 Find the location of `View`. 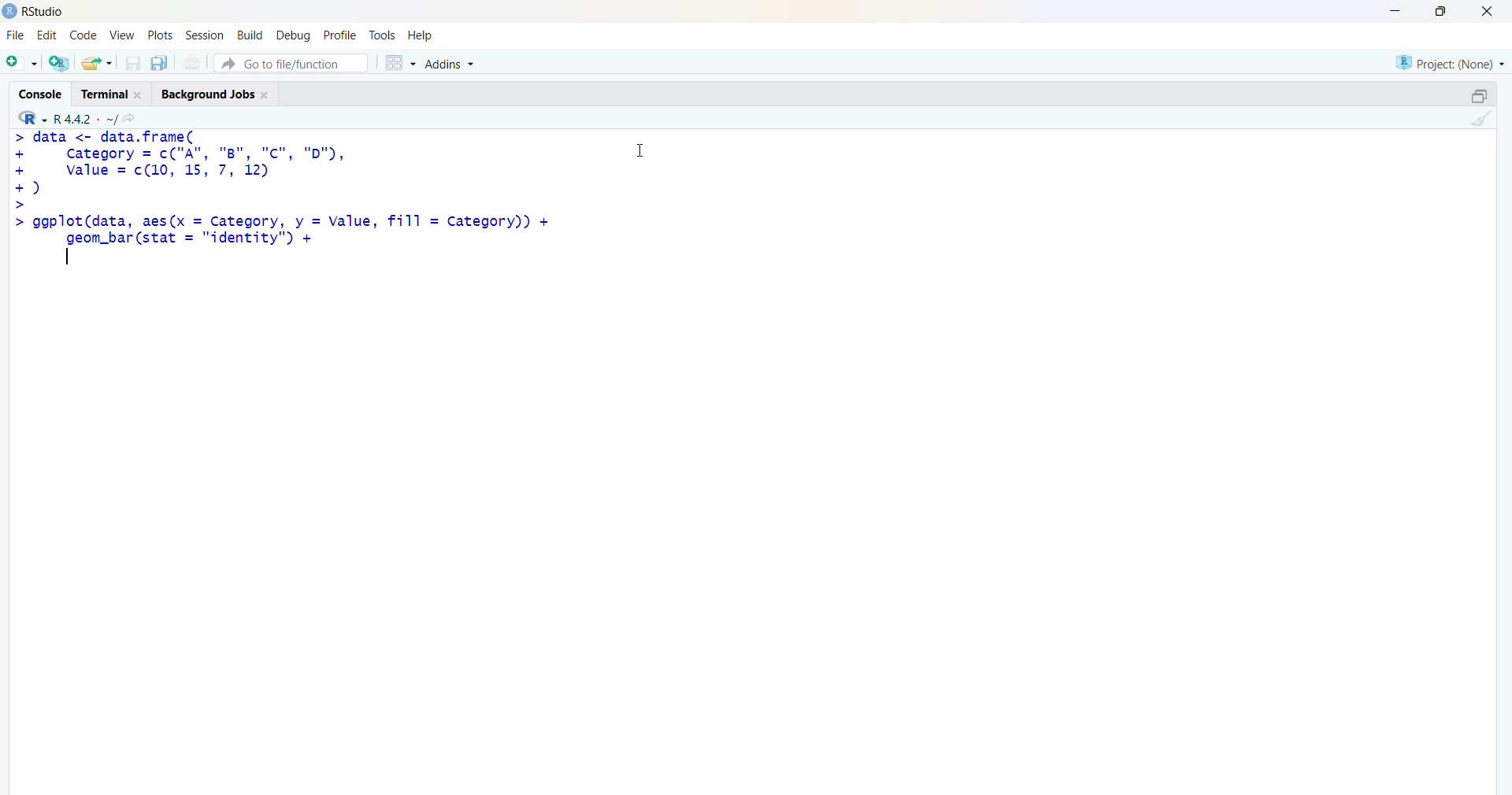

View is located at coordinates (123, 35).